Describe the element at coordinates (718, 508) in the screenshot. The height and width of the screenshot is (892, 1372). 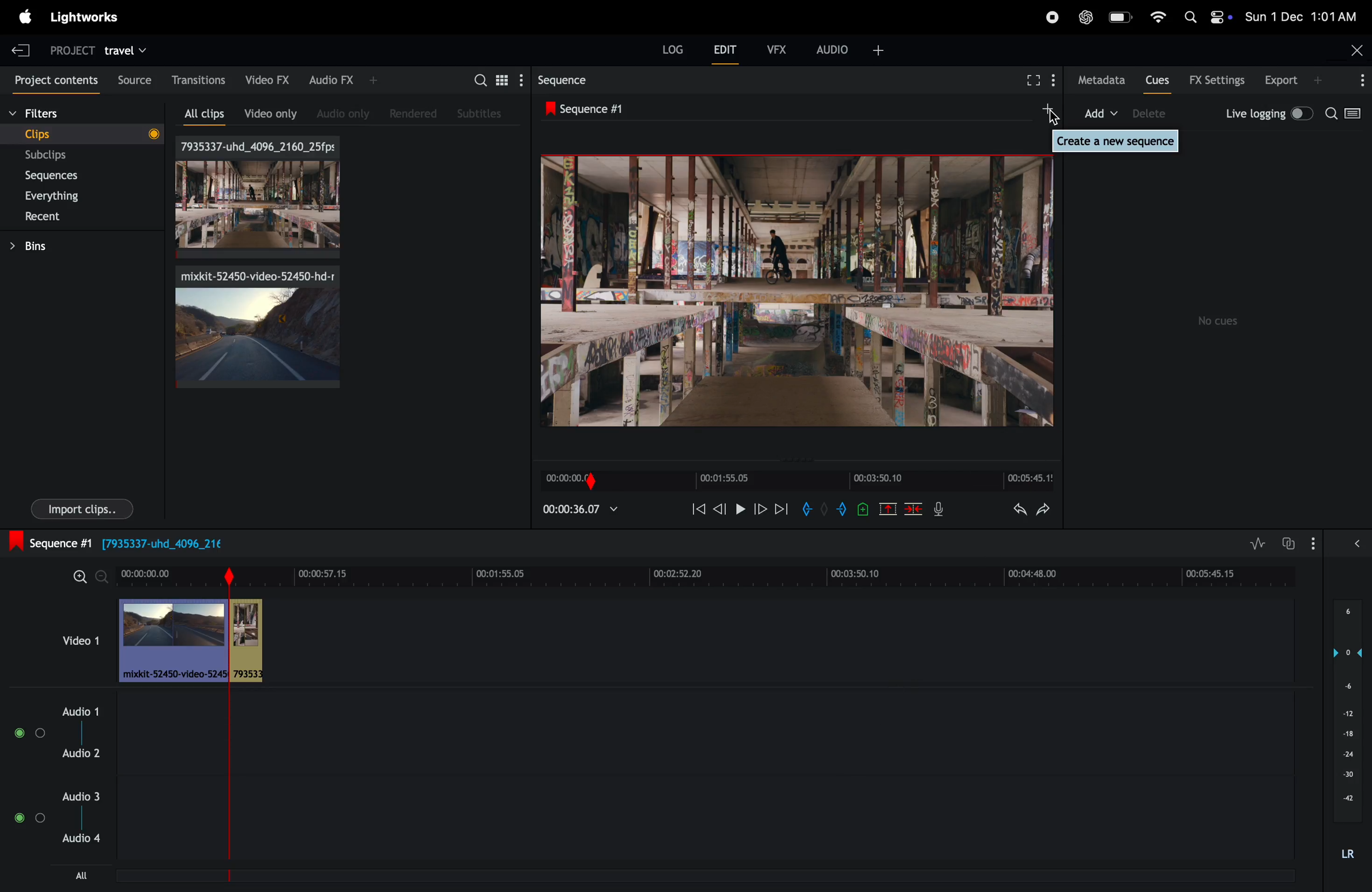
I see `next frame` at that location.